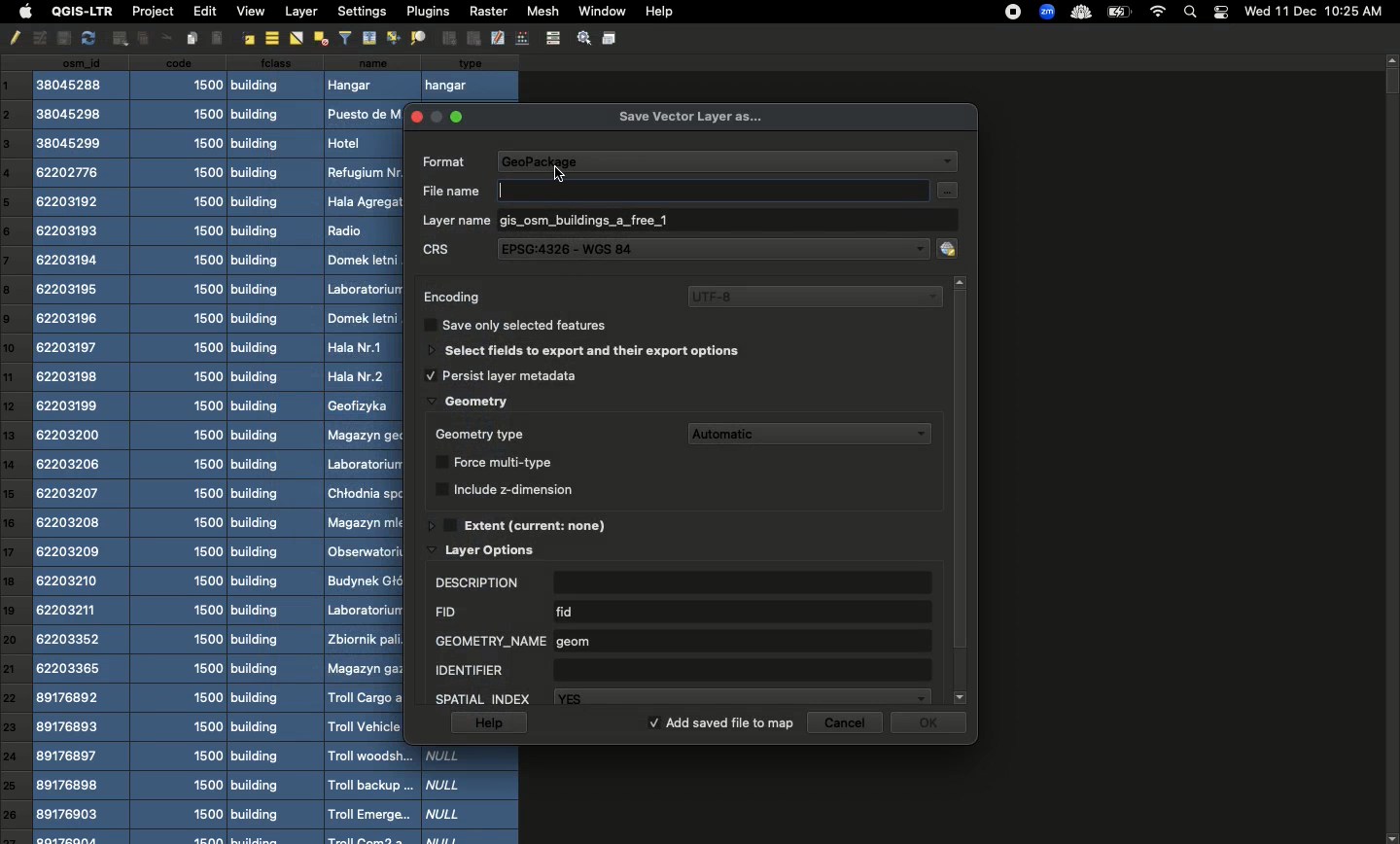 This screenshot has width=1400, height=844. I want to click on Internet, so click(1157, 12).